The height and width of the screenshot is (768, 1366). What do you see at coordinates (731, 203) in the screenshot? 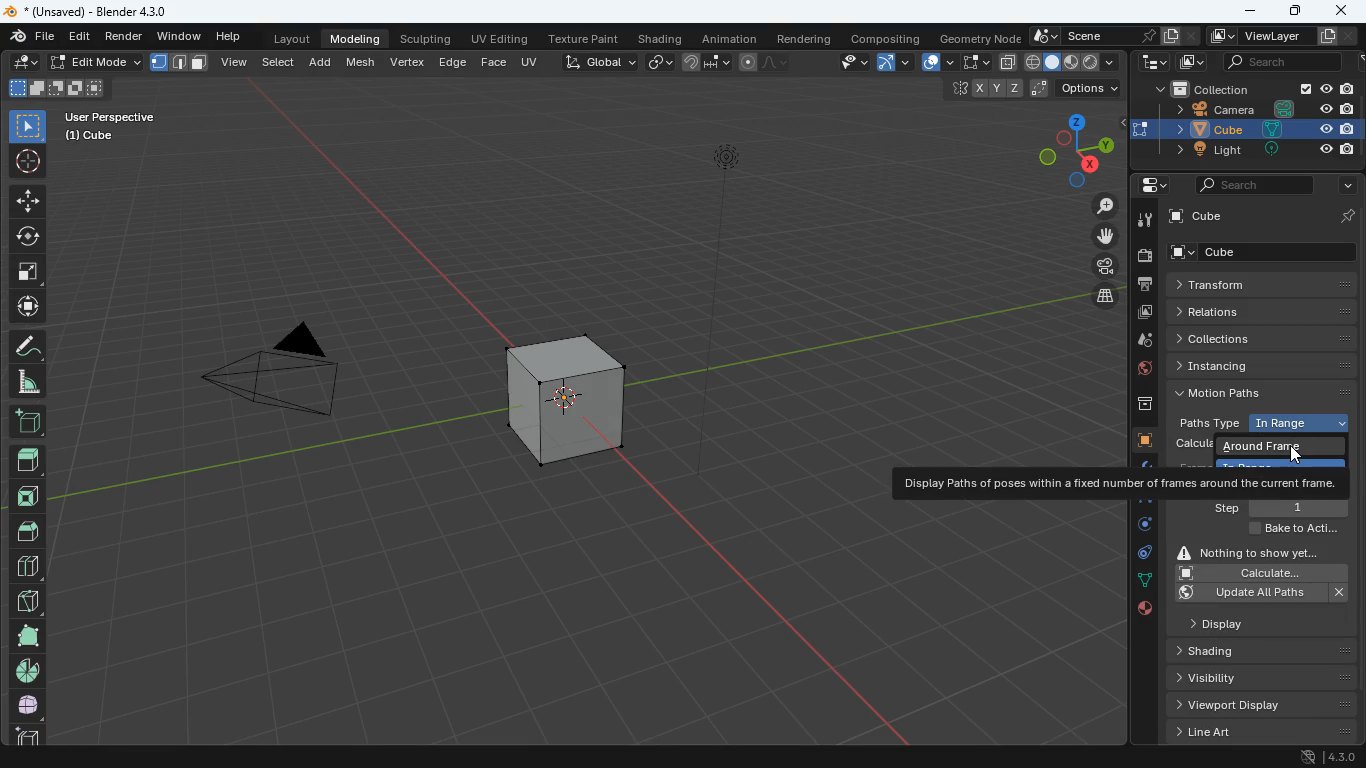
I see `light` at bounding box center [731, 203].